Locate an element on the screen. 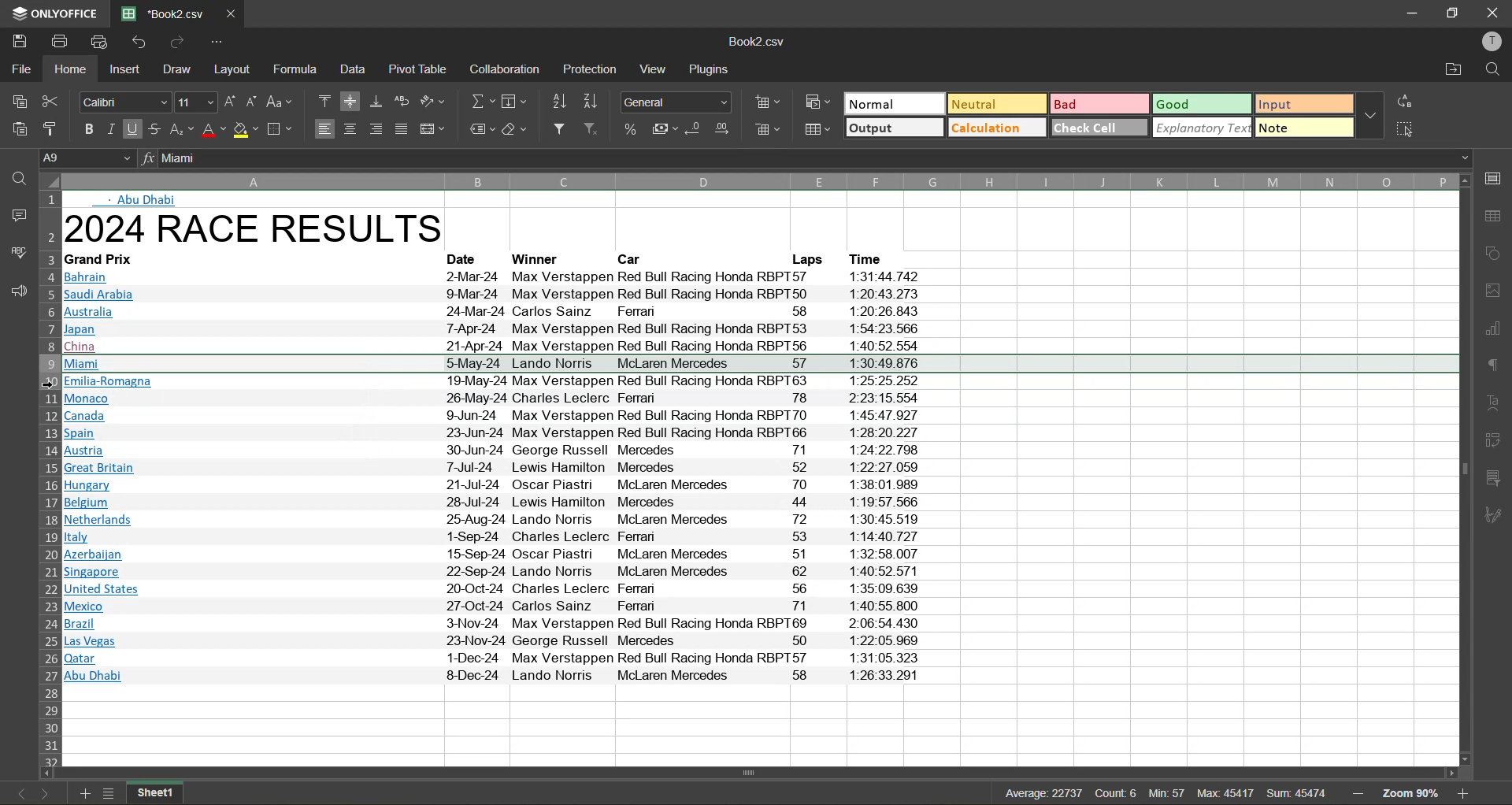 The width and height of the screenshot is (1512, 805). ll Mexico 27-Oct-24 Carlos Sainz Ferran 71 1:40:55.800 is located at coordinates (499, 607).